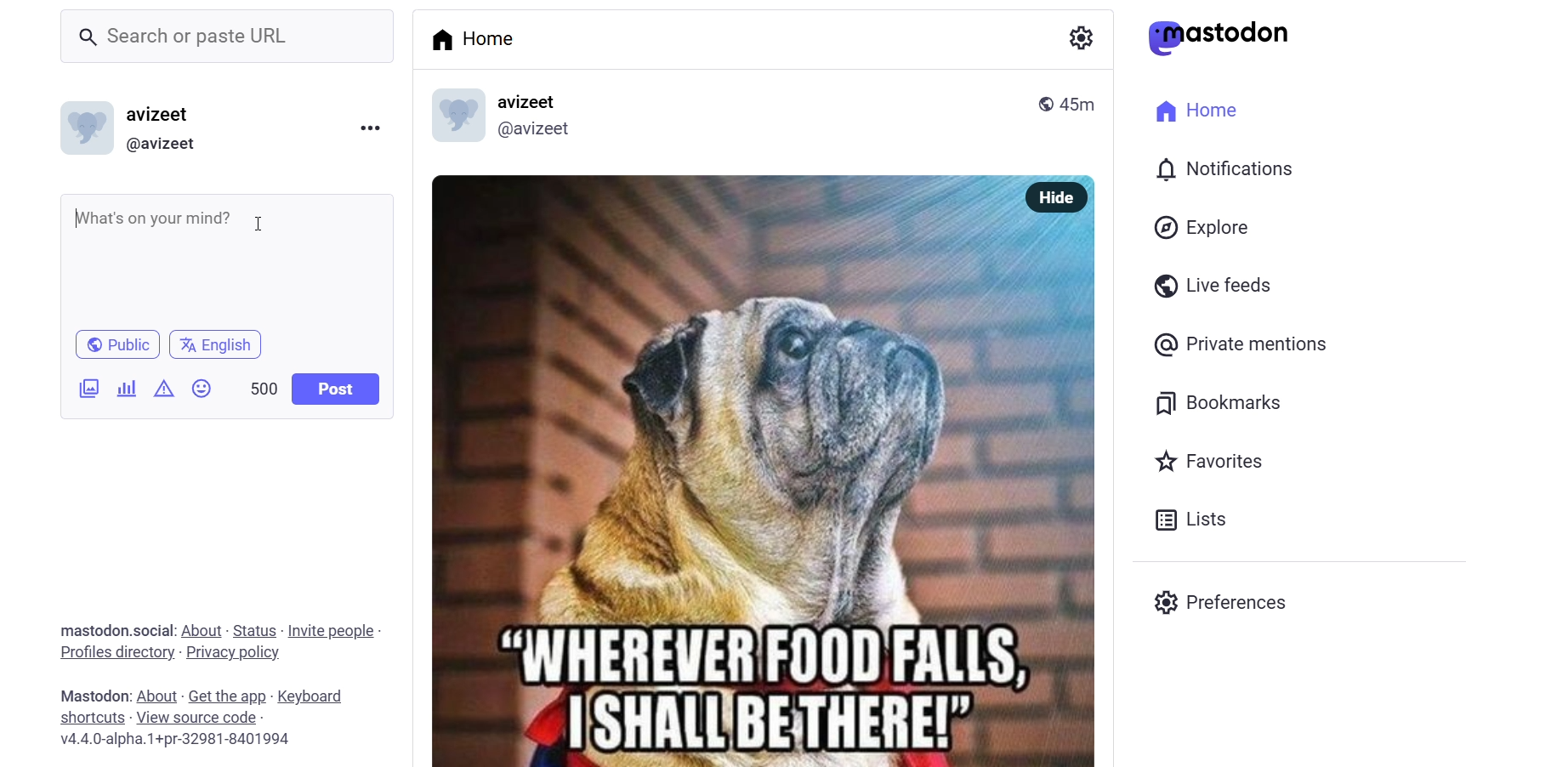 The image size is (1568, 767). What do you see at coordinates (90, 386) in the screenshot?
I see `image/video` at bounding box center [90, 386].